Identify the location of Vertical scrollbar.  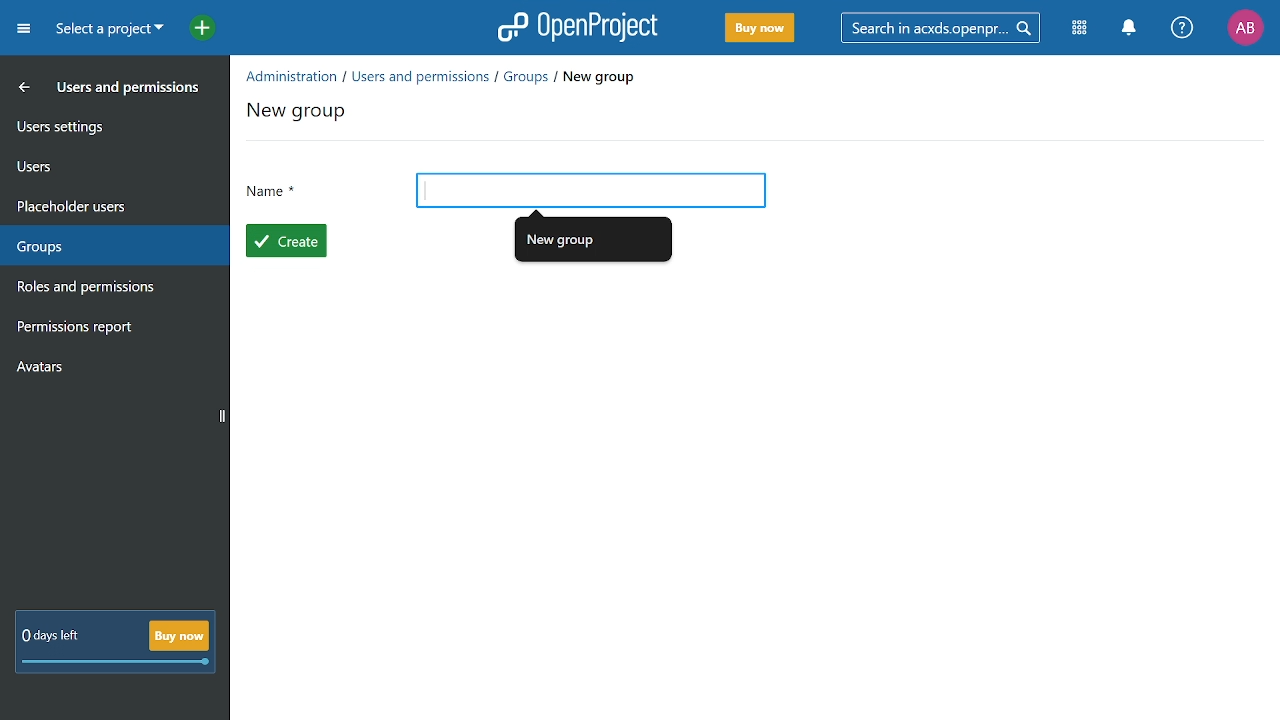
(222, 417).